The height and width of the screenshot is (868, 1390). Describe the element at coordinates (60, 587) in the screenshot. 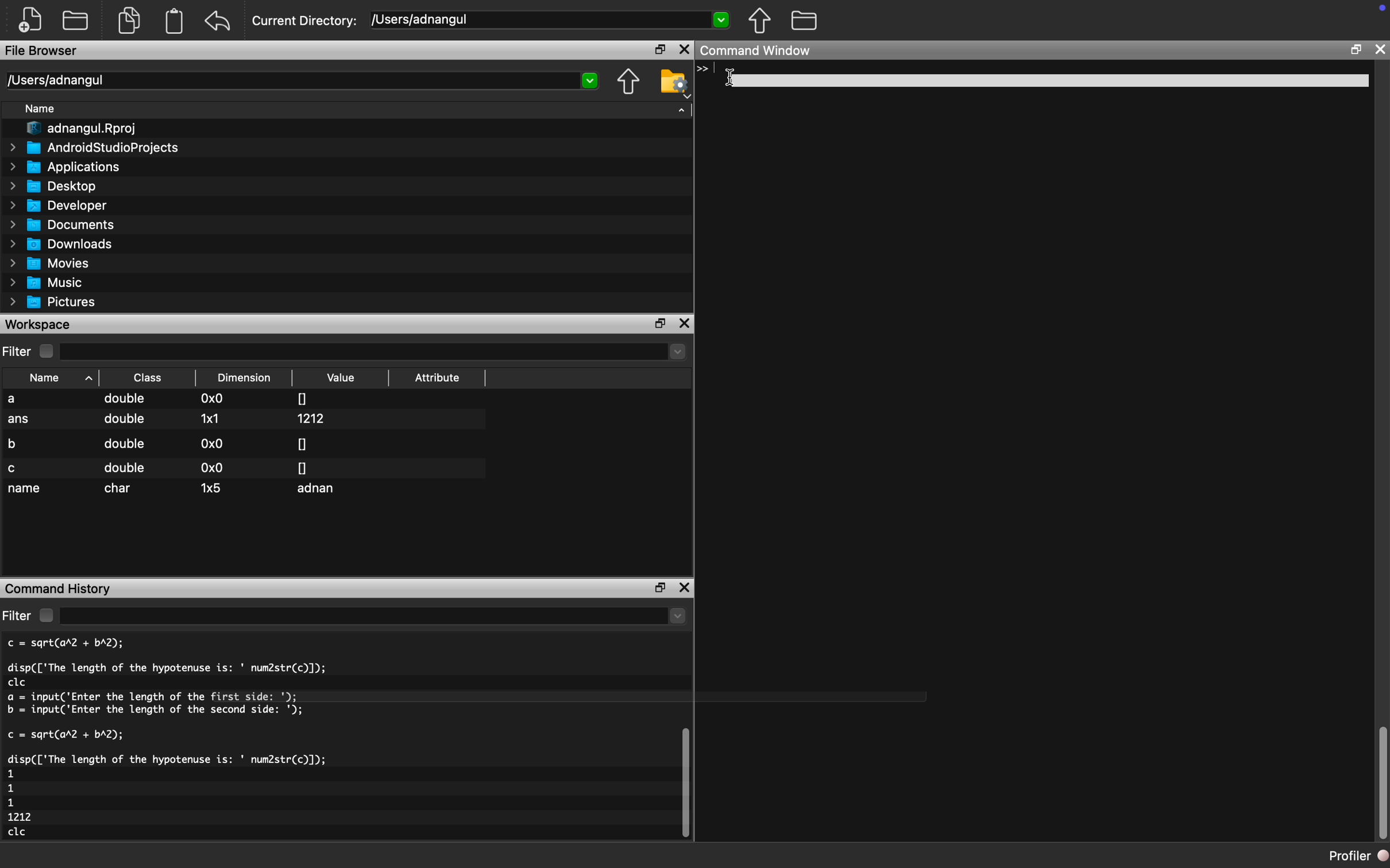

I see `Command History` at that location.